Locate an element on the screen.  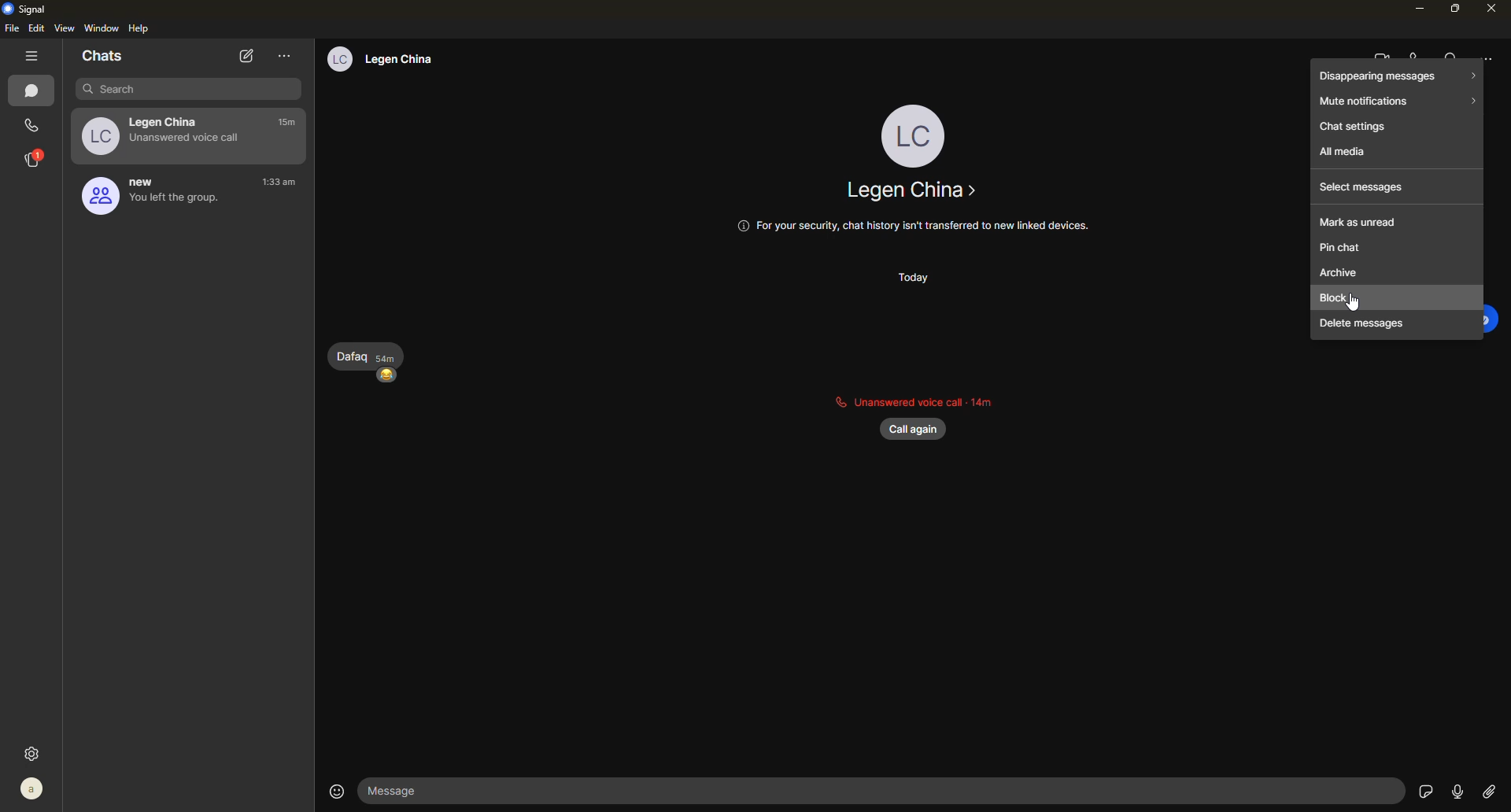
chats is located at coordinates (35, 93).